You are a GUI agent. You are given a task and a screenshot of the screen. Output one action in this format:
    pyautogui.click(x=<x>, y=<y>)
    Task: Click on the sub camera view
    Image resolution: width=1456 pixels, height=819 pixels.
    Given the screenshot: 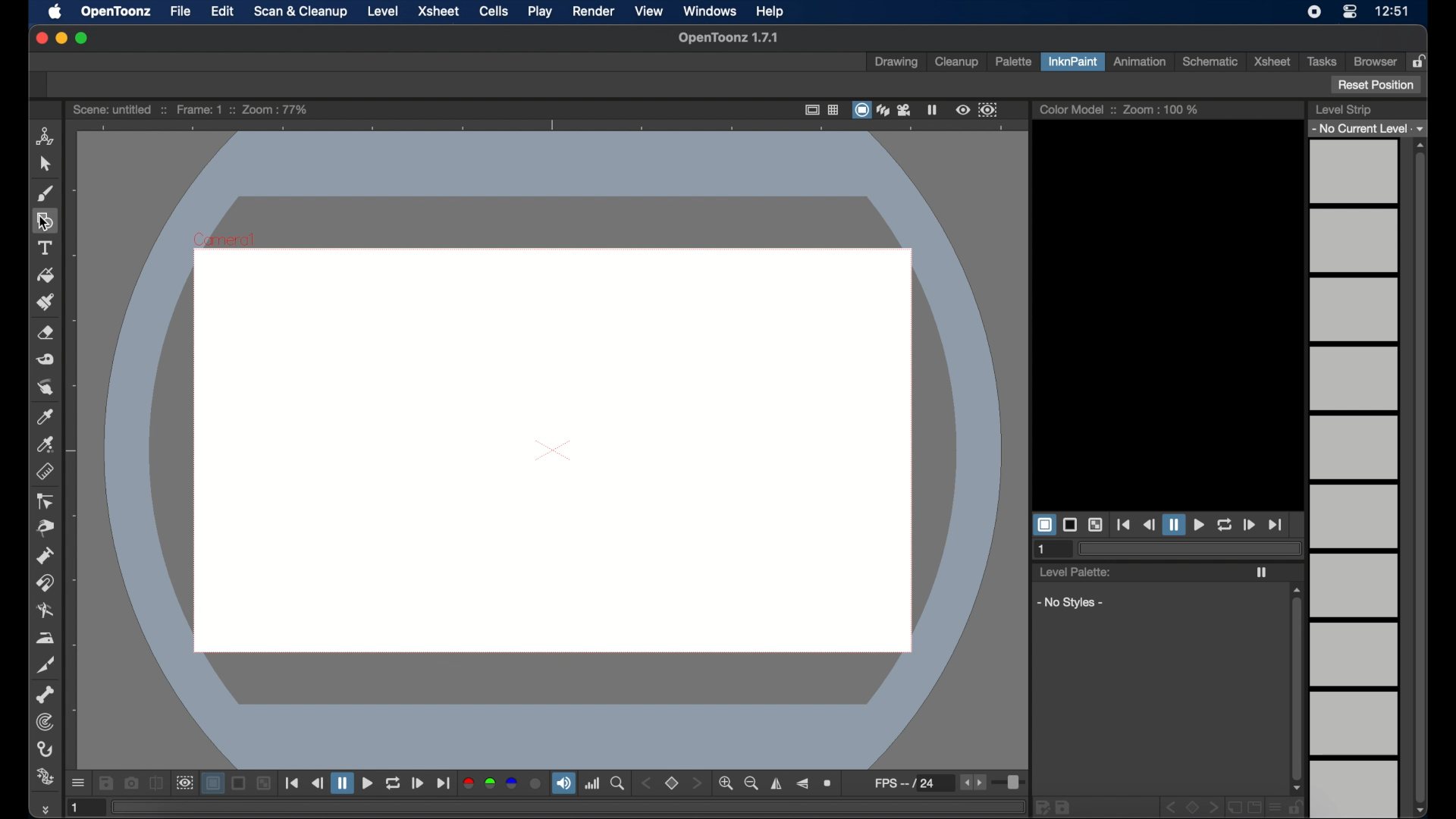 What is the action you would take?
    pyautogui.click(x=184, y=783)
    